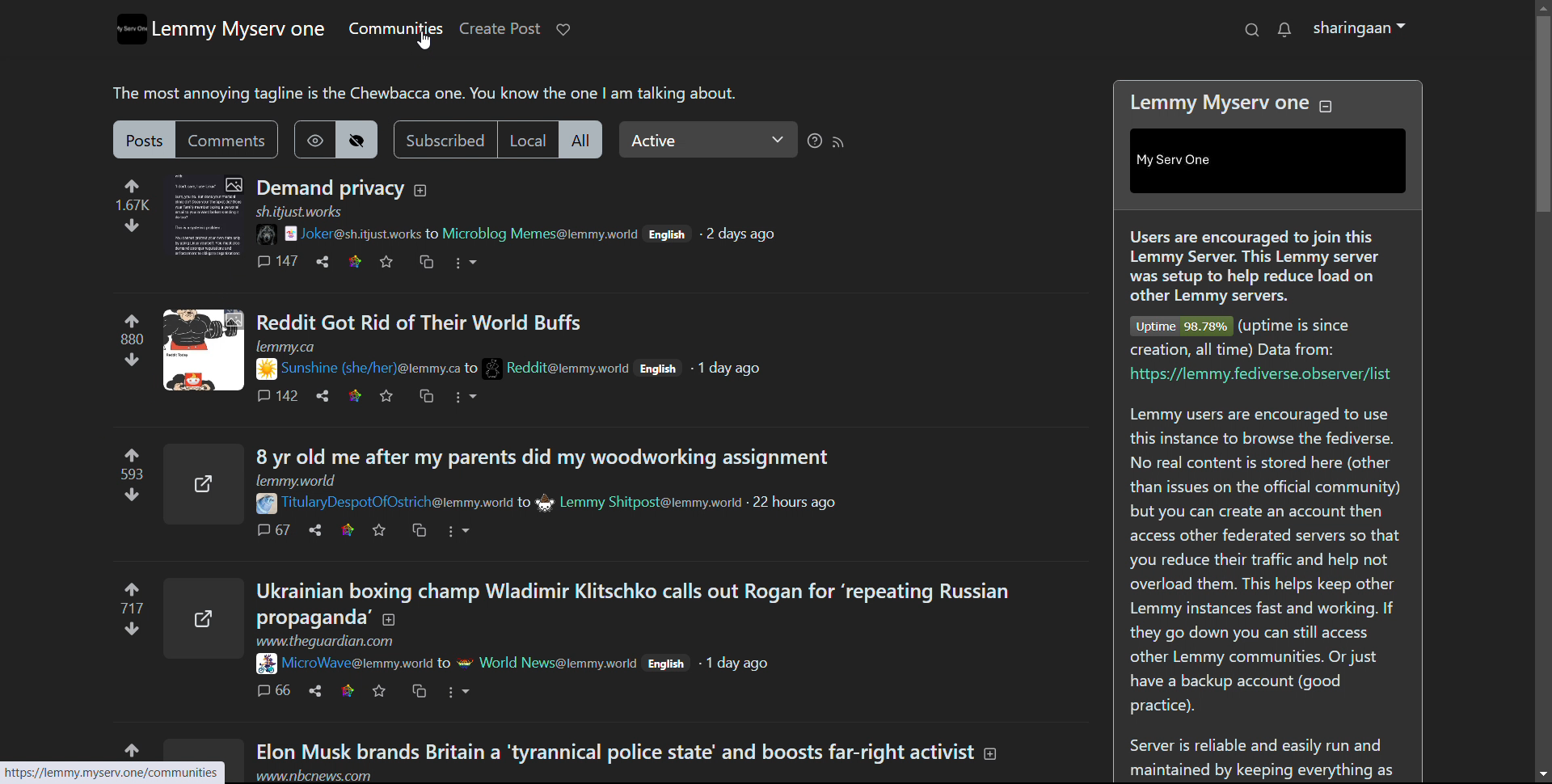 The width and height of the screenshot is (1552, 784). Describe the element at coordinates (522, 504) in the screenshot. I see `to` at that location.